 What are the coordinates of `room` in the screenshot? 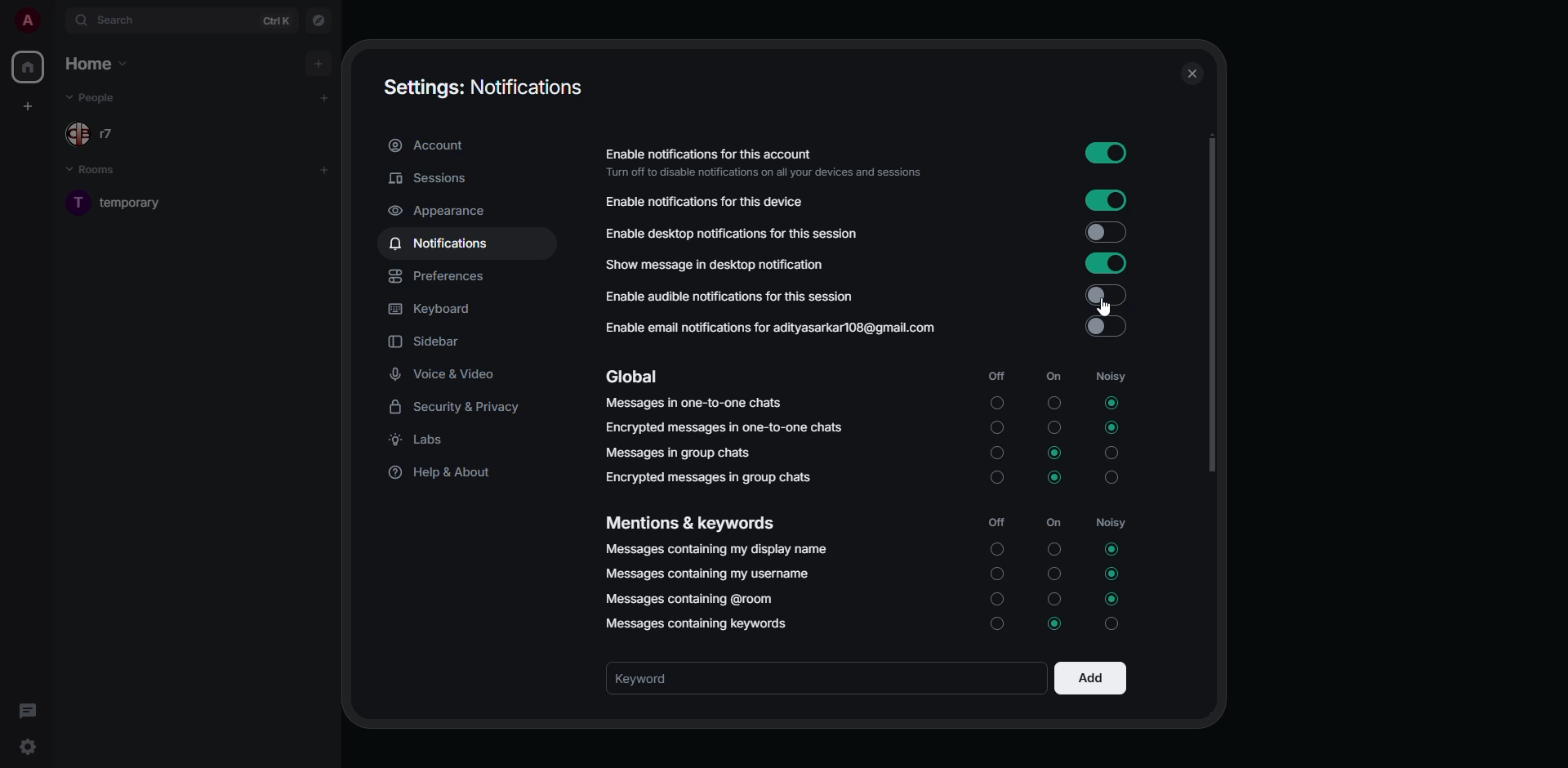 It's located at (133, 202).